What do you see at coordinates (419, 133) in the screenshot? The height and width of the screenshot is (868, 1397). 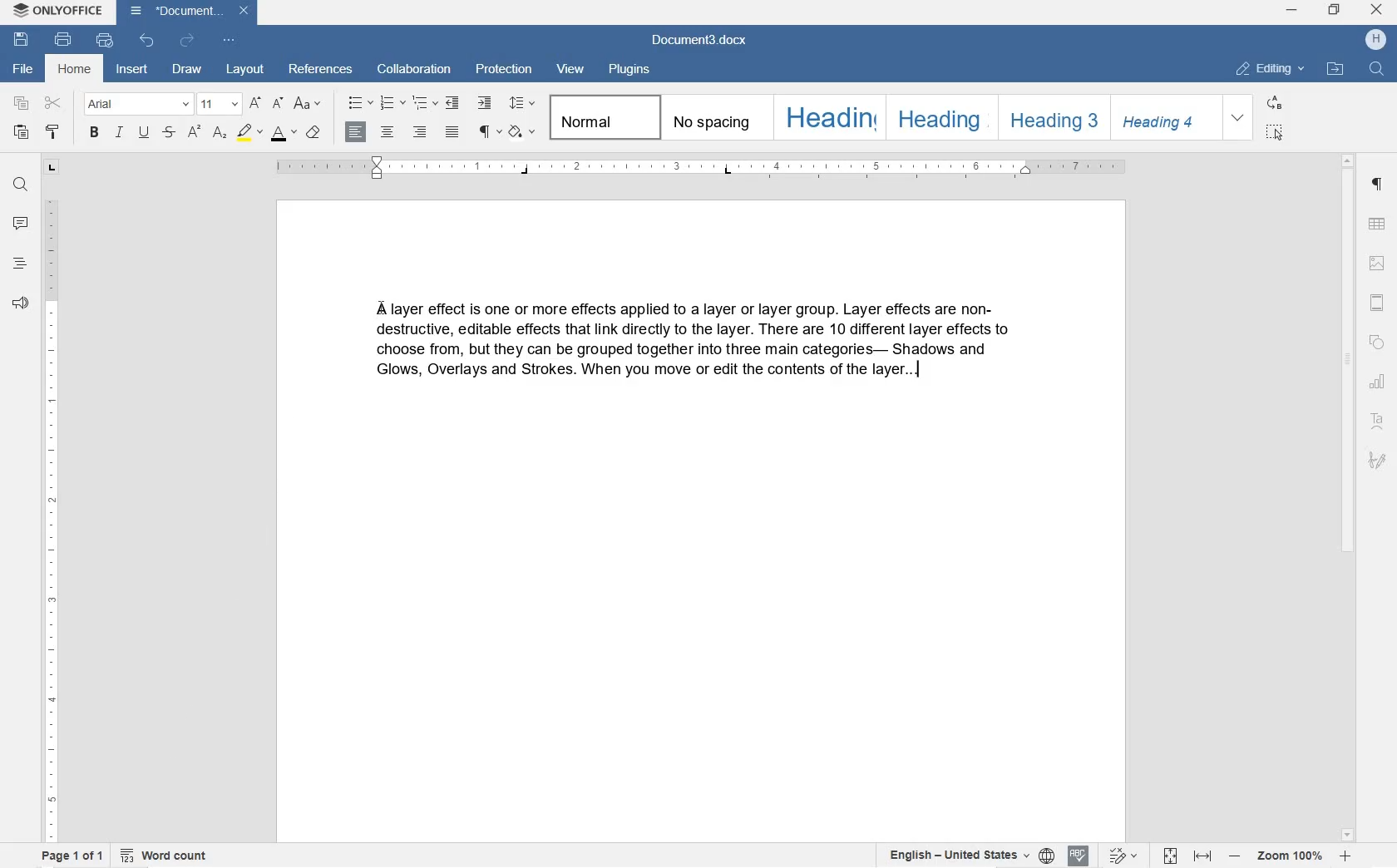 I see `RIGHT ALIGNMENT` at bounding box center [419, 133].